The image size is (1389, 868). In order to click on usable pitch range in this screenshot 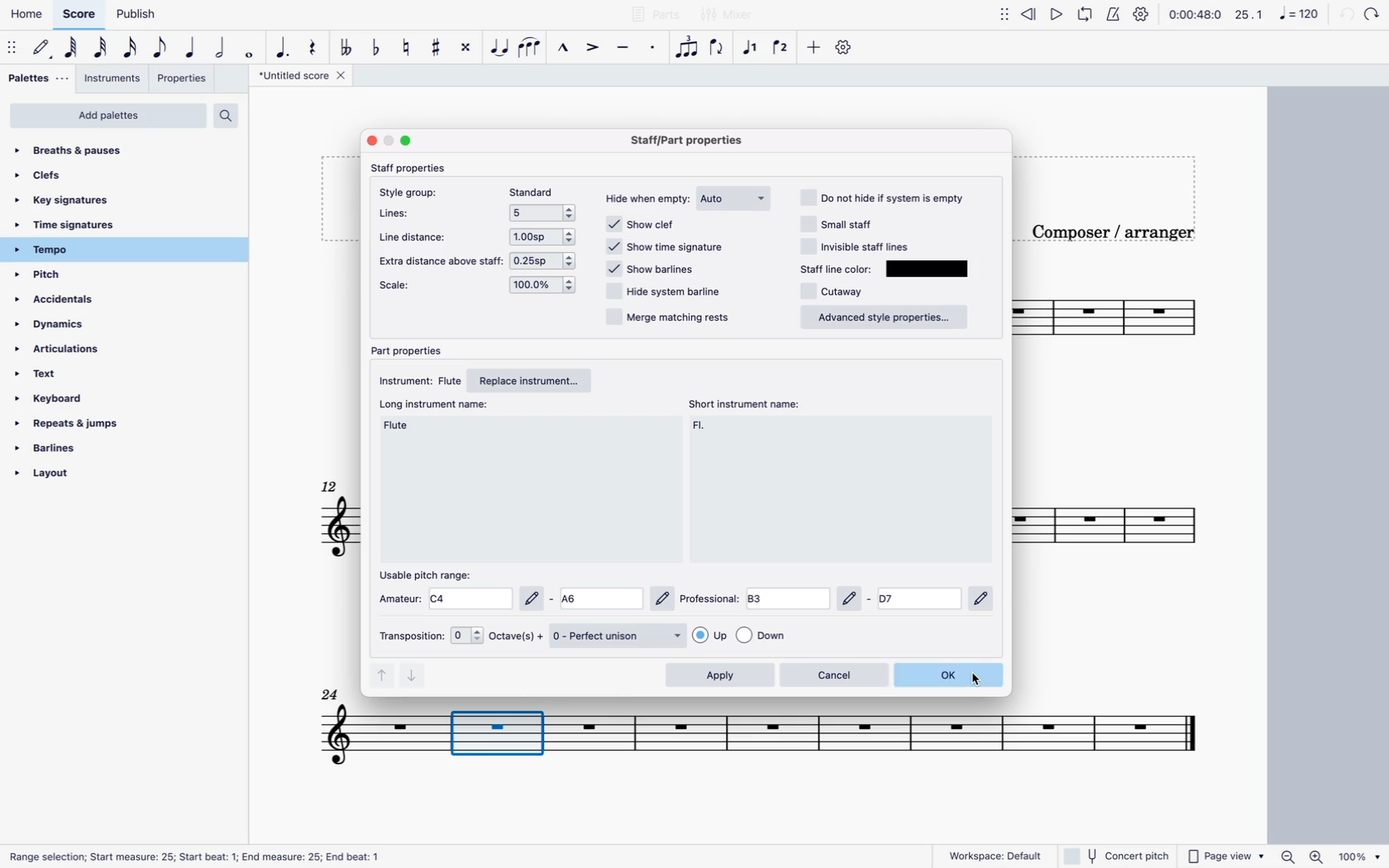, I will do `click(432, 575)`.